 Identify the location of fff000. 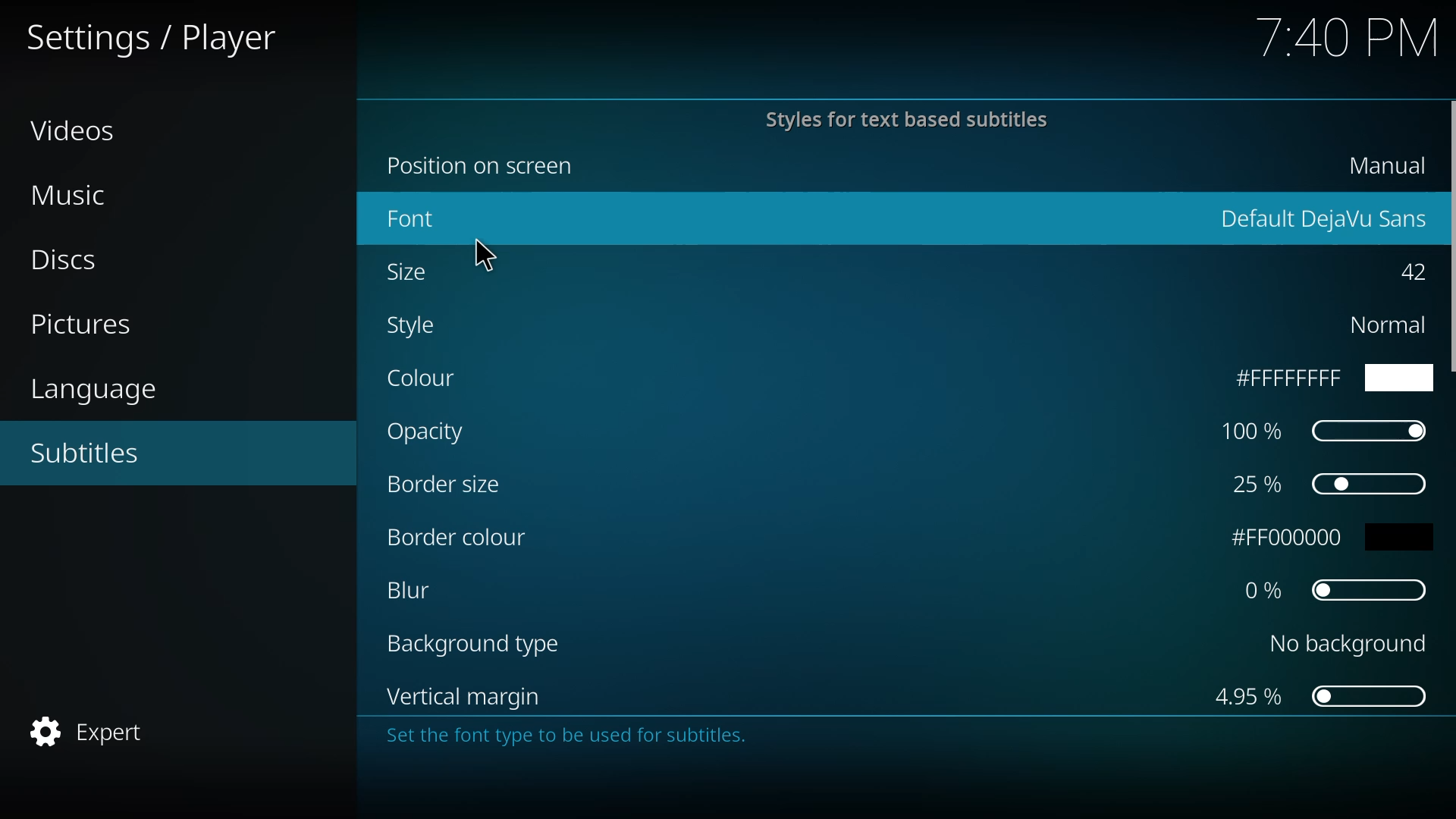
(1339, 538).